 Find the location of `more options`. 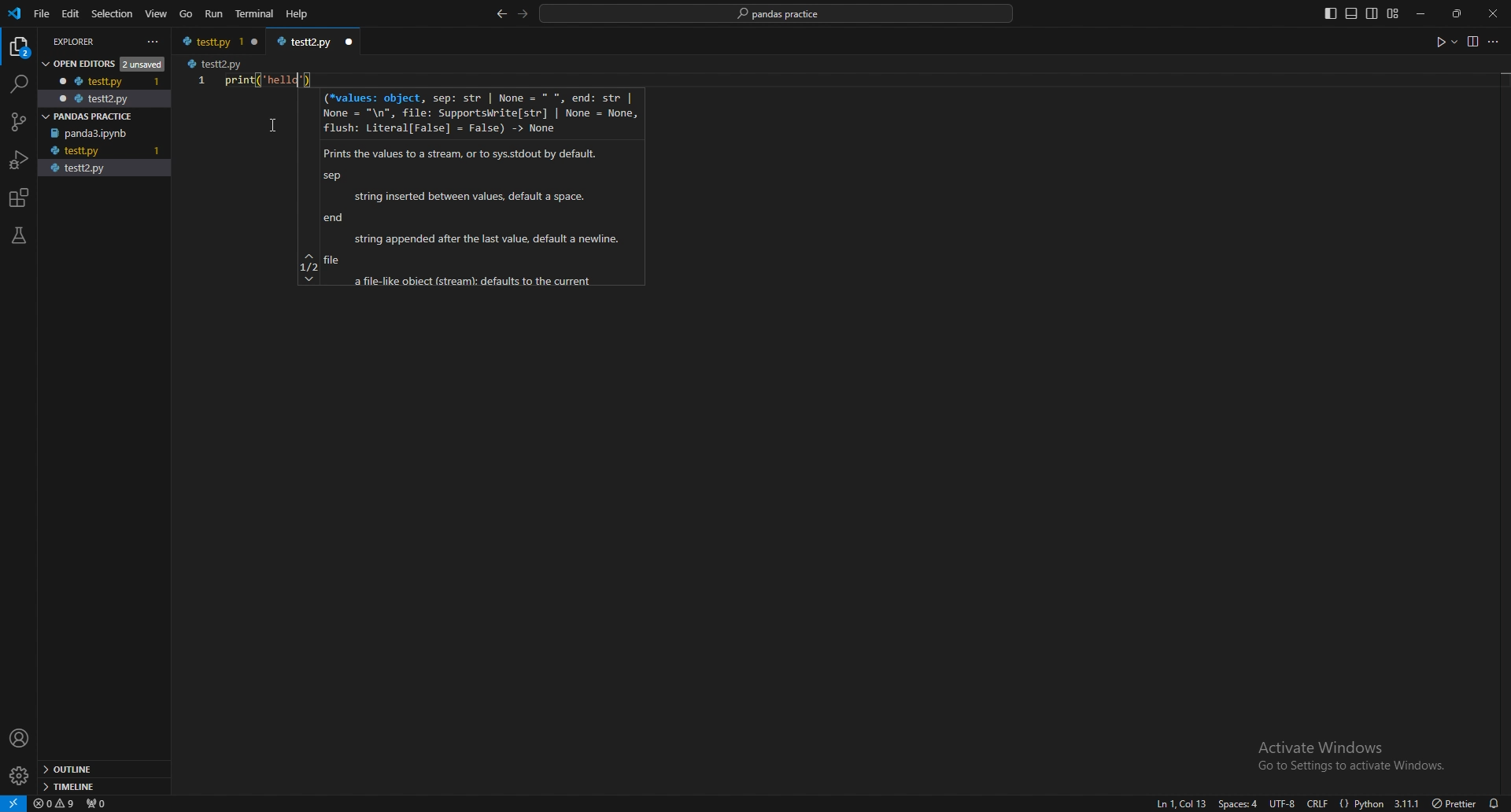

more options is located at coordinates (1496, 43).